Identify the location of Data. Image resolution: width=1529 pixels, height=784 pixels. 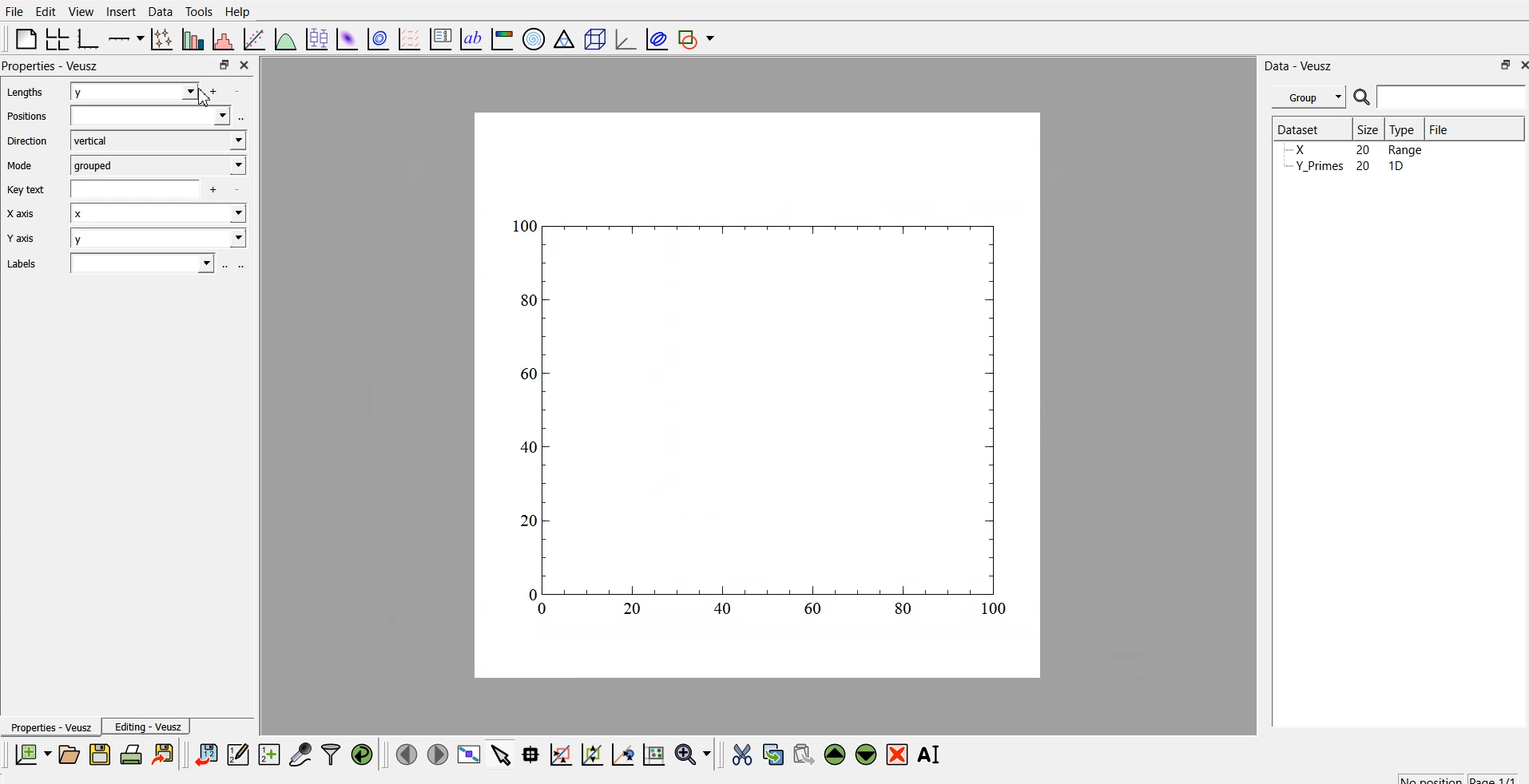
(160, 10).